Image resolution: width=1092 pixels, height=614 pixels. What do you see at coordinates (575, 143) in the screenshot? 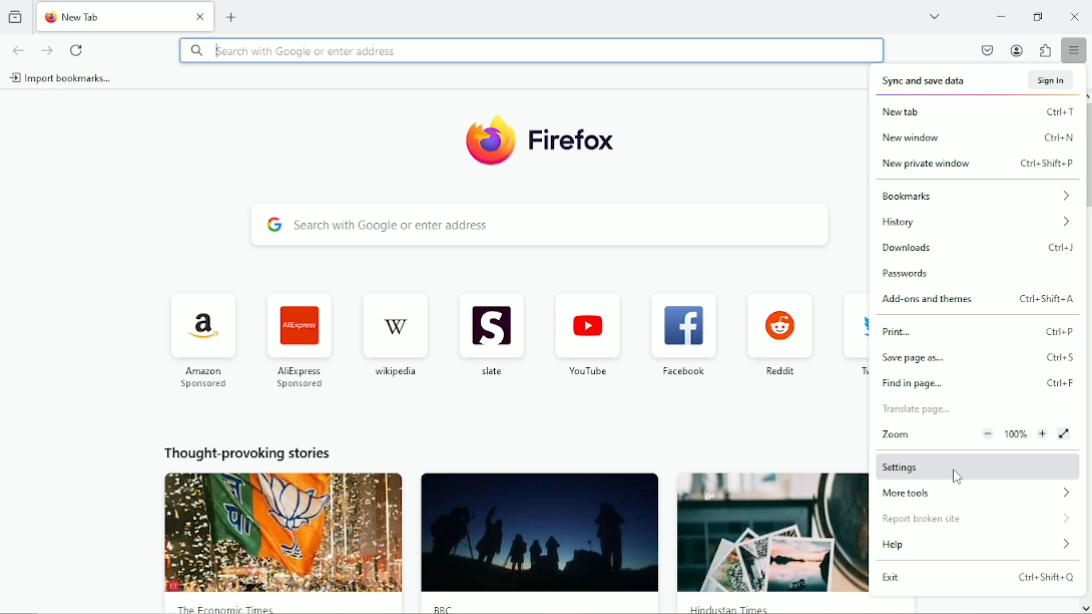
I see `Firefox` at bounding box center [575, 143].